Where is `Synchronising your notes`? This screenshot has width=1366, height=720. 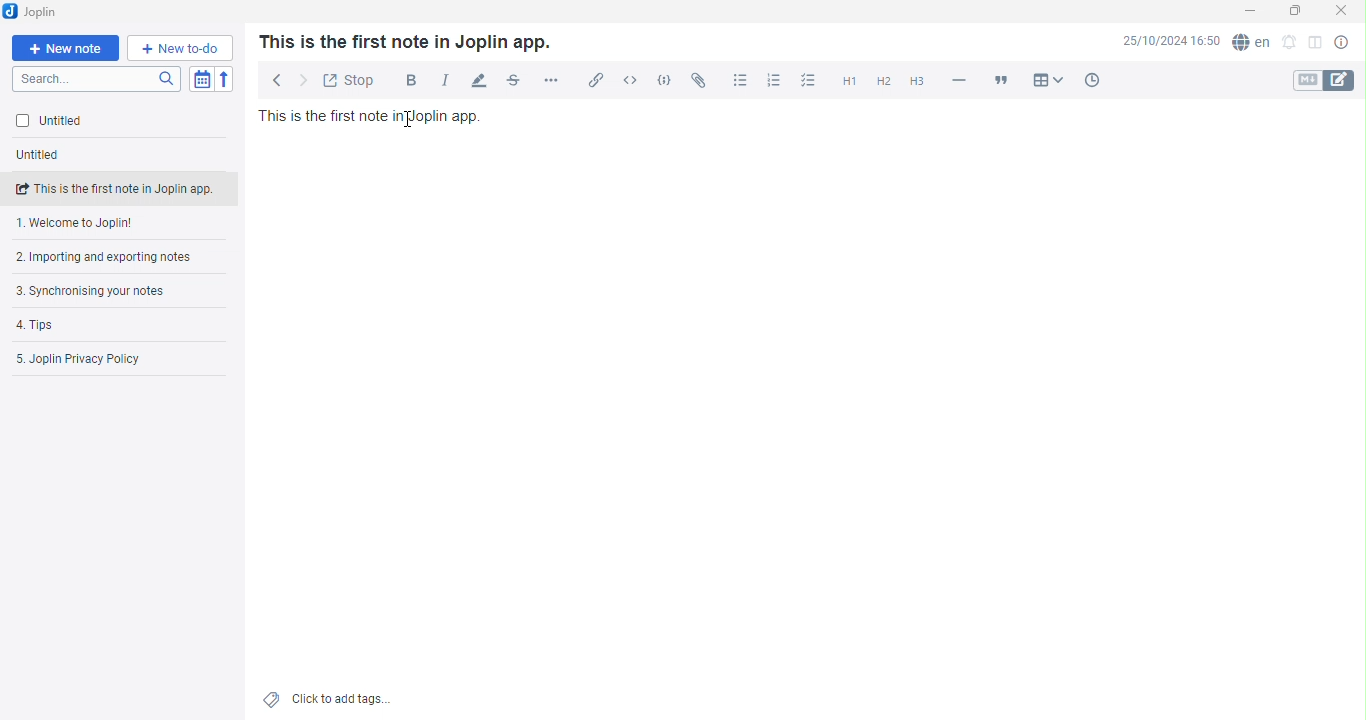 Synchronising your notes is located at coordinates (103, 290).